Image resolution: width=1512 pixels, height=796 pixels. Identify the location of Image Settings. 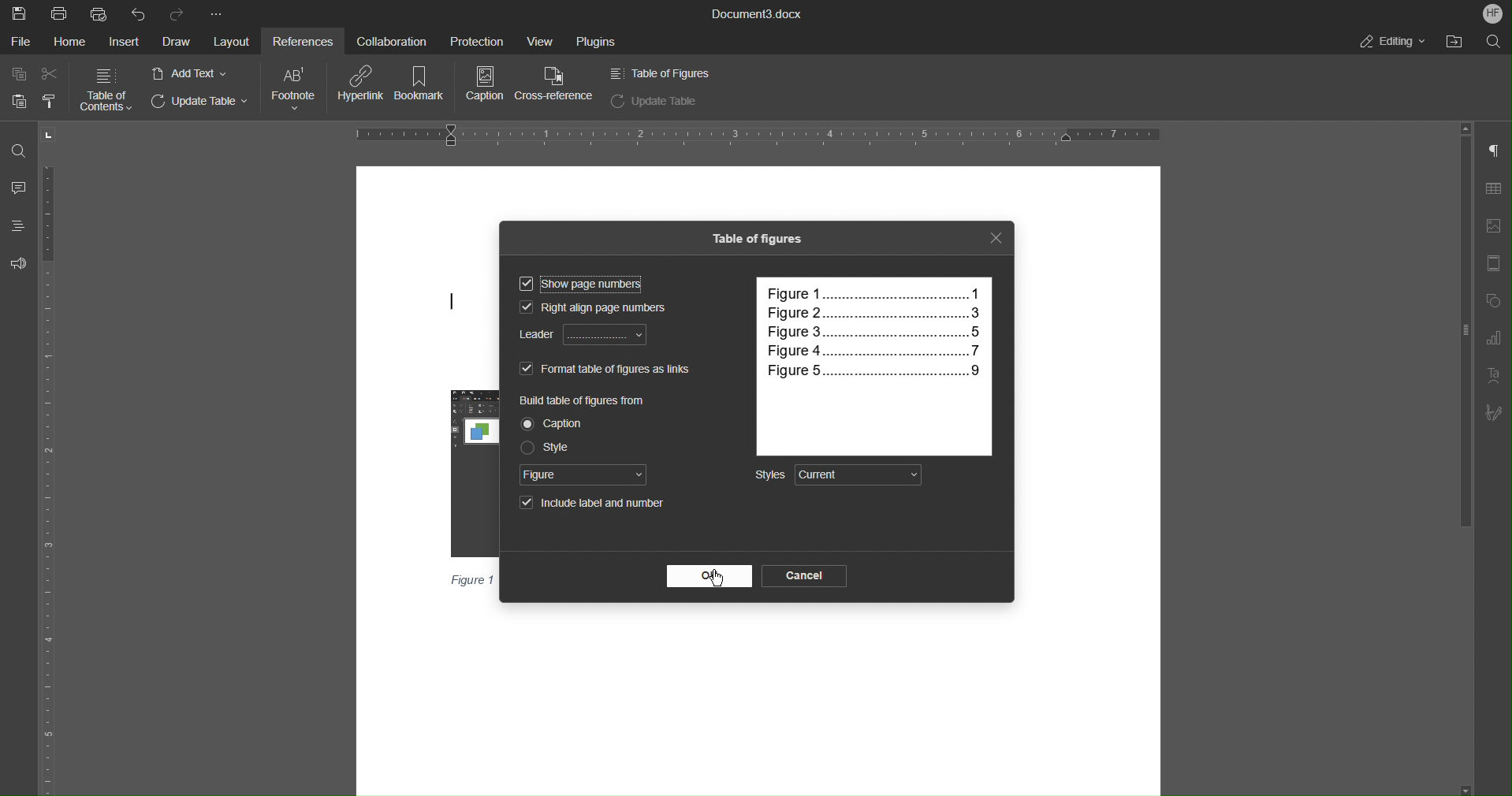
(1492, 229).